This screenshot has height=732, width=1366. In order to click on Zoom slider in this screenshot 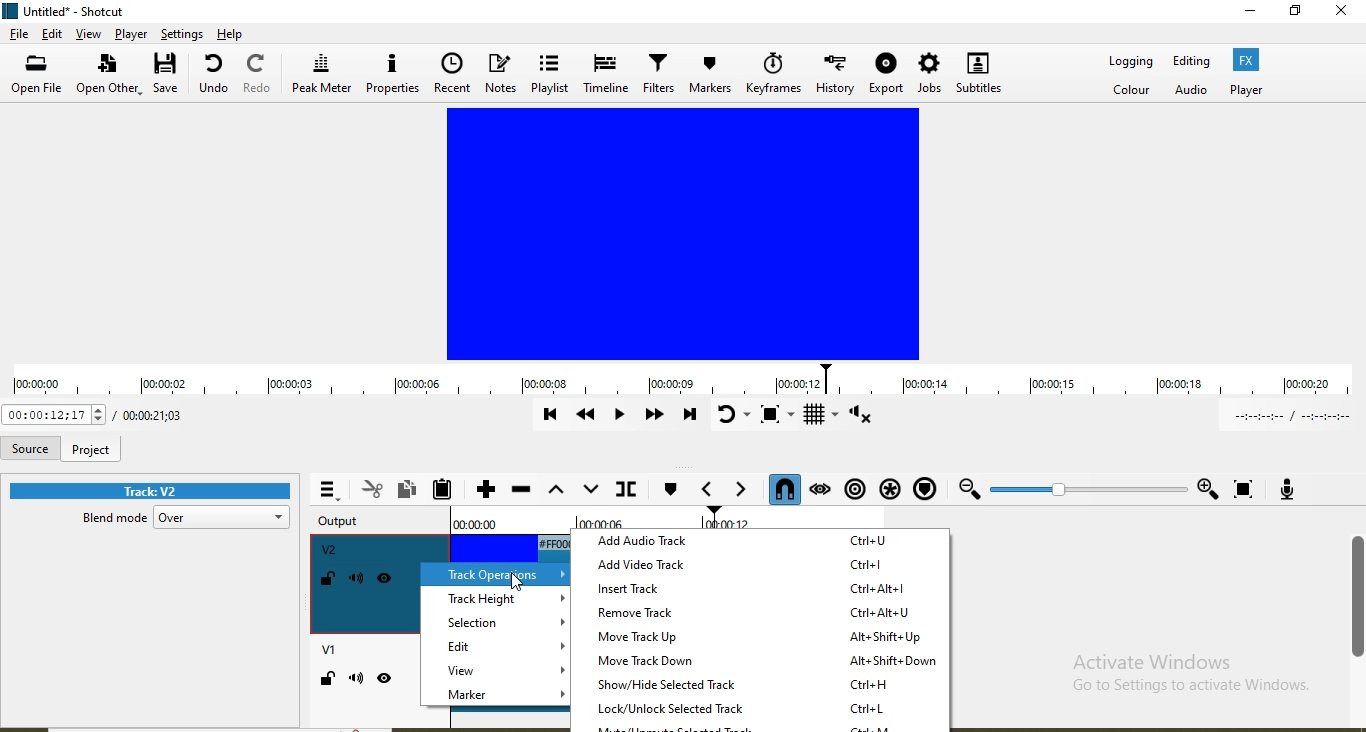, I will do `click(1088, 488)`.